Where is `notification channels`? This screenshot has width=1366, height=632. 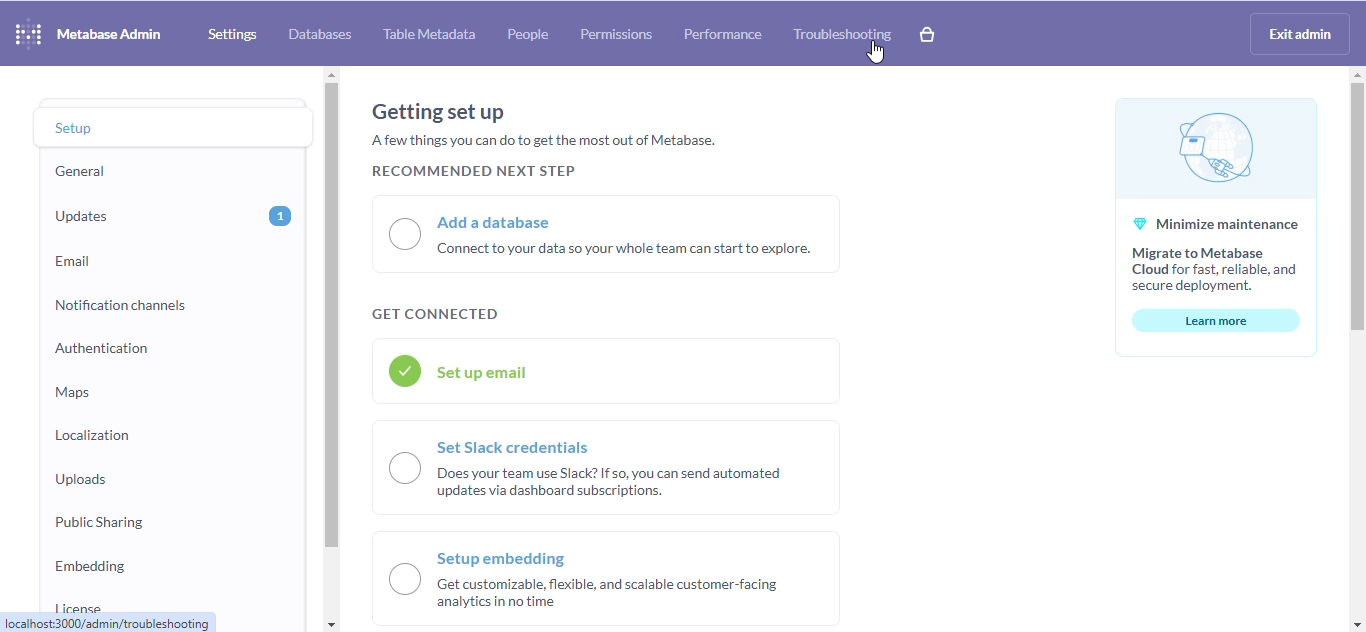 notification channels is located at coordinates (122, 304).